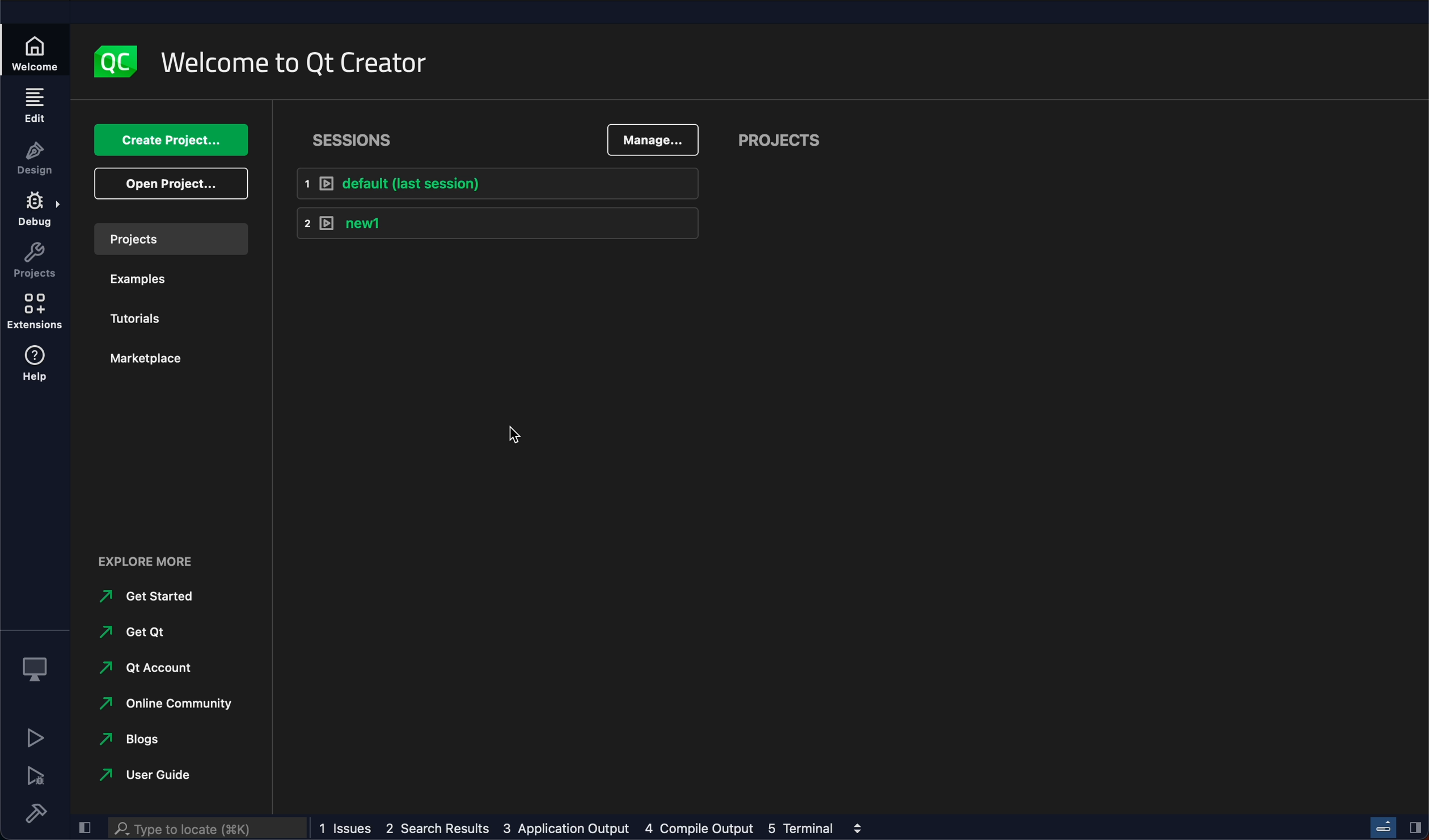 The height and width of the screenshot is (840, 1429). I want to click on welcome to qt creator, so click(297, 64).